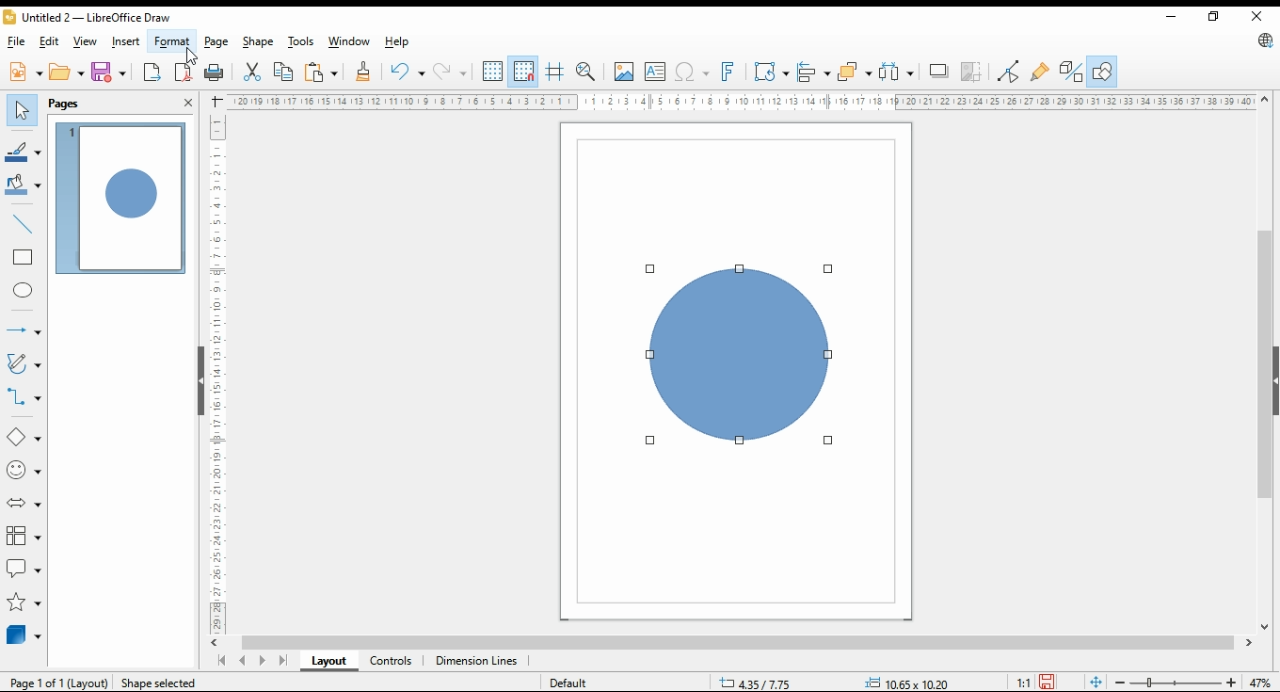 The image size is (1280, 692). I want to click on new, so click(27, 71).